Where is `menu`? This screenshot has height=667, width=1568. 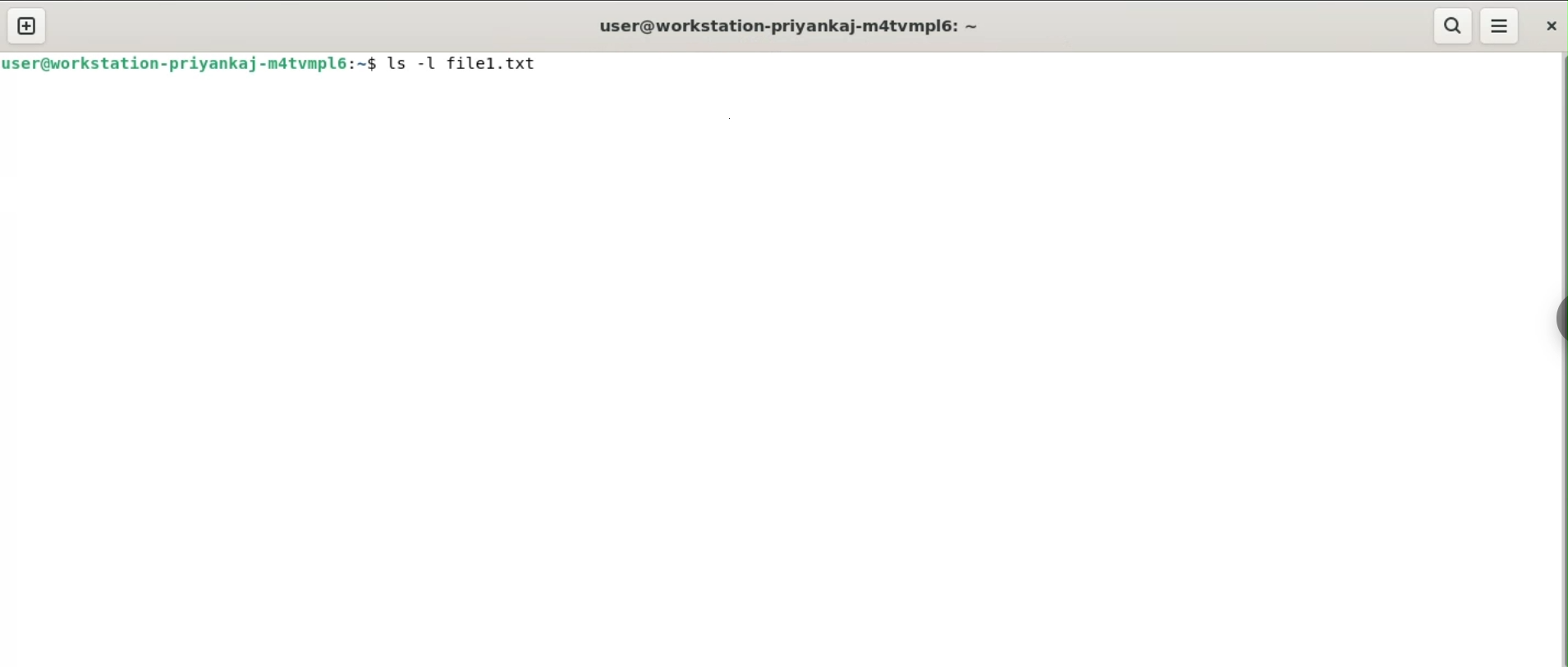 menu is located at coordinates (1499, 25).